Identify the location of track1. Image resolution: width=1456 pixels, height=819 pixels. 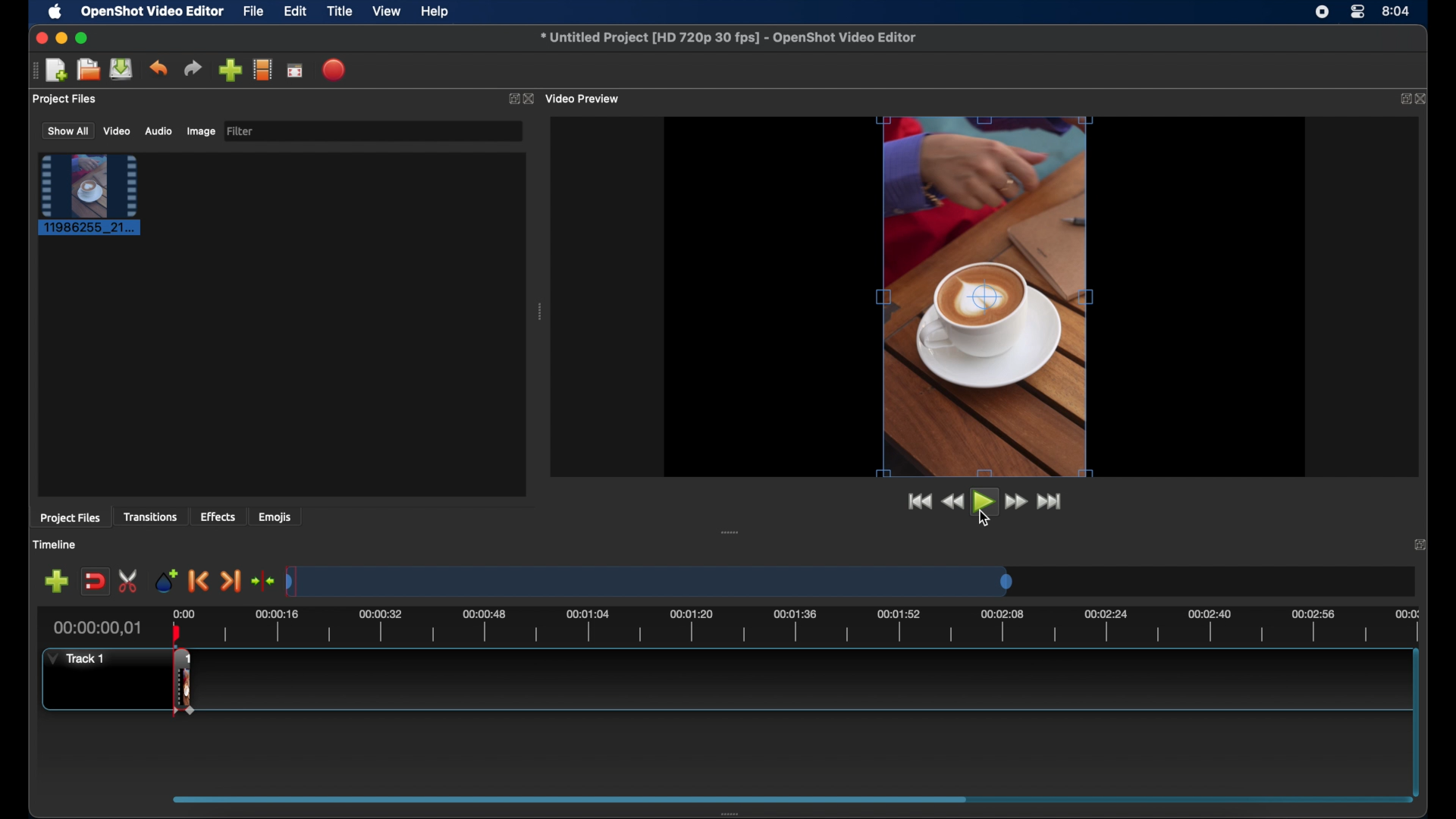
(77, 658).